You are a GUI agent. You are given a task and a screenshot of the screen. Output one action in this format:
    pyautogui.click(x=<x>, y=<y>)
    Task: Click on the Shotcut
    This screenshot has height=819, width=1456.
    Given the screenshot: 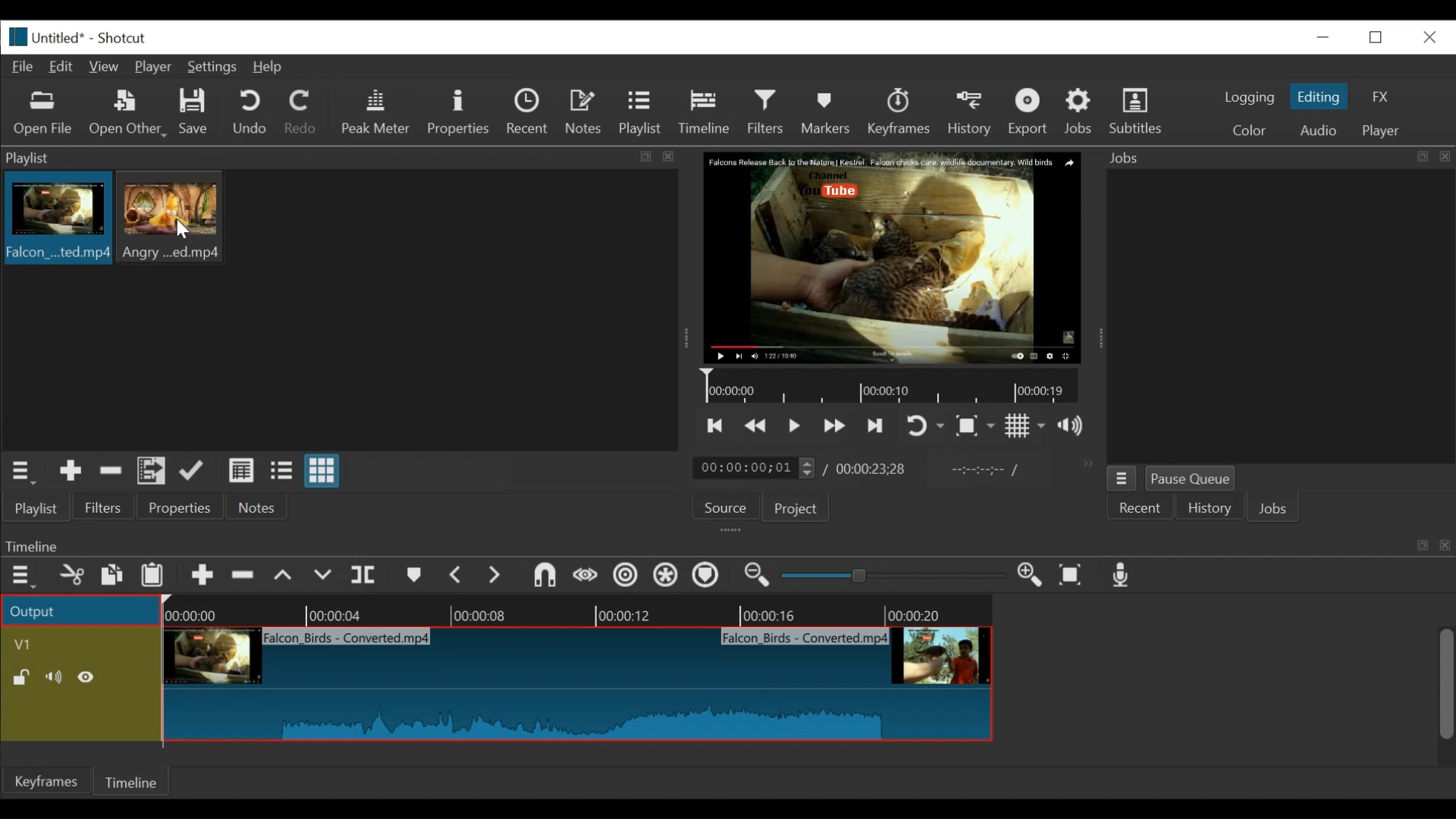 What is the action you would take?
    pyautogui.click(x=121, y=39)
    